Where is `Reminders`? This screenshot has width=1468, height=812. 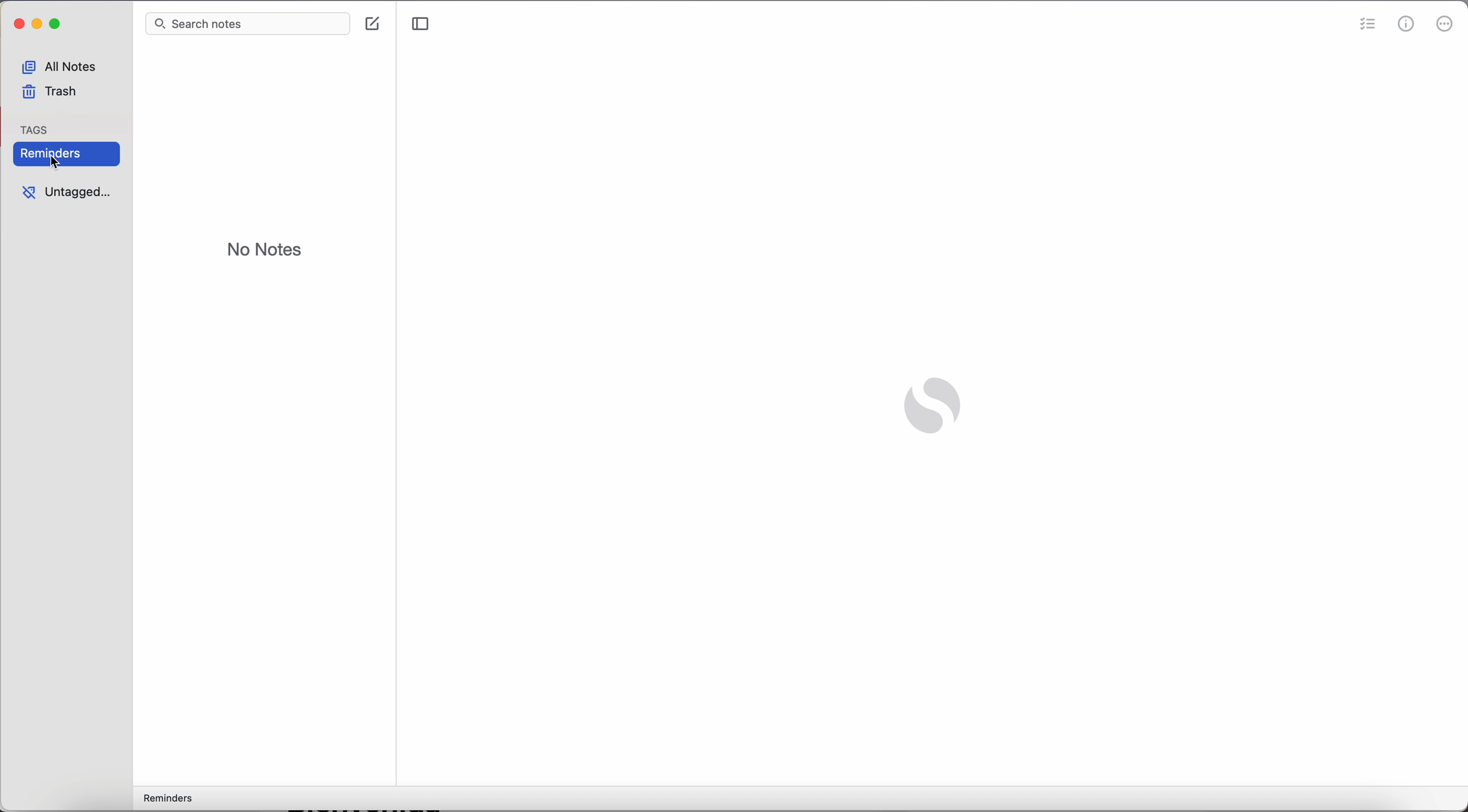
Reminders is located at coordinates (28, 155).